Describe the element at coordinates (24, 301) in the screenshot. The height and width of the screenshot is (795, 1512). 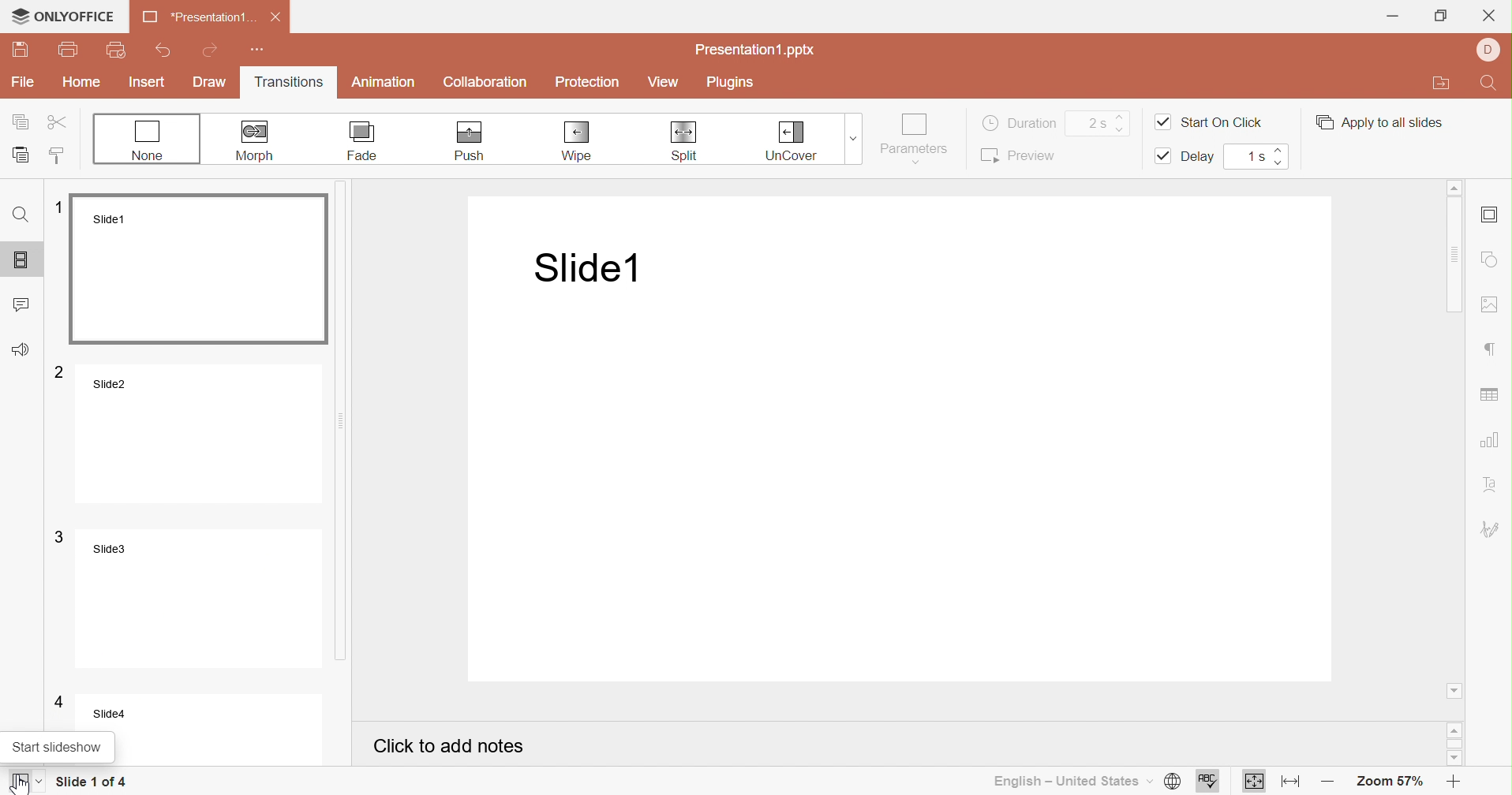
I see `Comments` at that location.